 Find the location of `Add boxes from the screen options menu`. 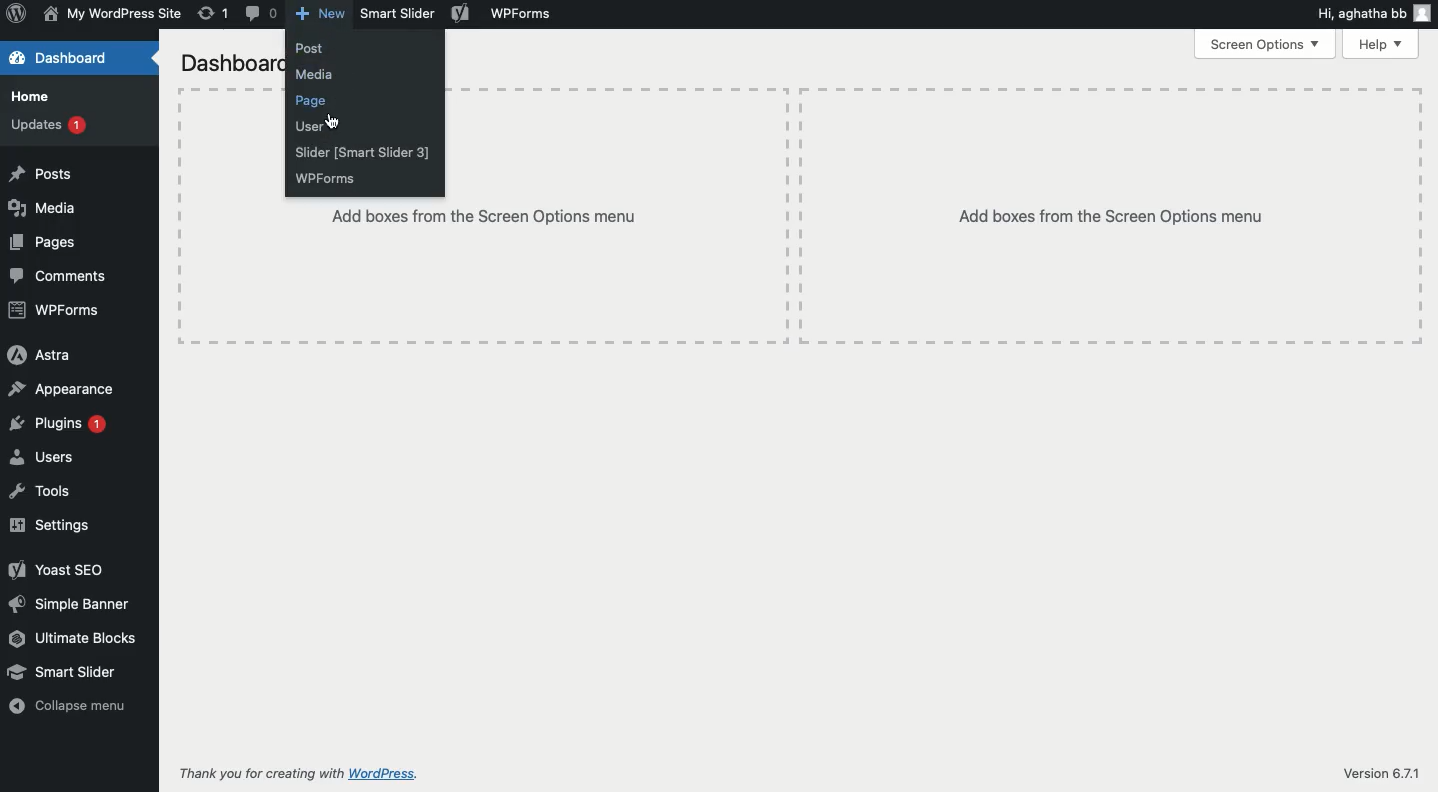

Add boxes from the screen options menu is located at coordinates (1114, 216).